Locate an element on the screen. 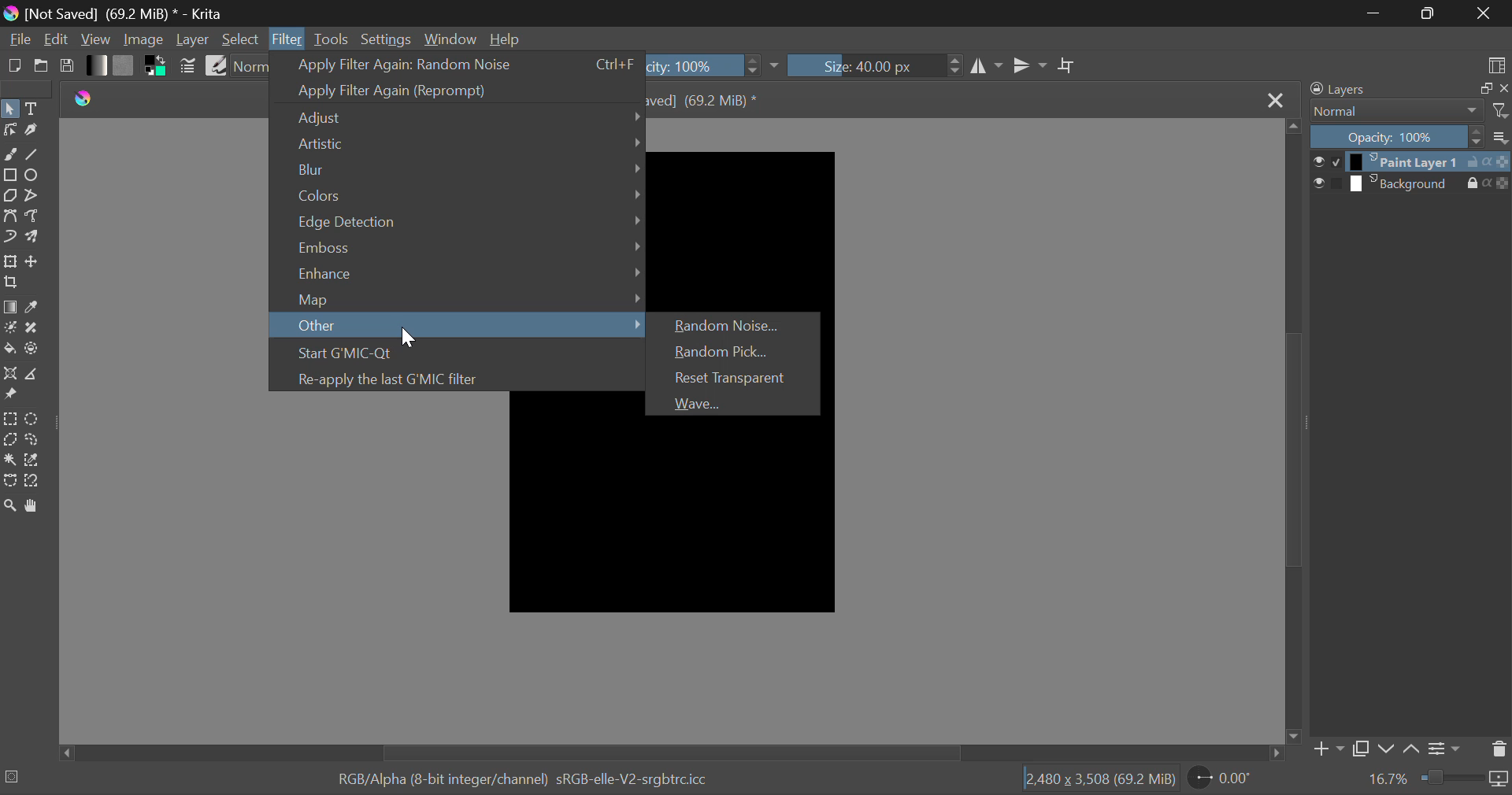 The height and width of the screenshot is (795, 1512). Zoom is located at coordinates (1465, 781).